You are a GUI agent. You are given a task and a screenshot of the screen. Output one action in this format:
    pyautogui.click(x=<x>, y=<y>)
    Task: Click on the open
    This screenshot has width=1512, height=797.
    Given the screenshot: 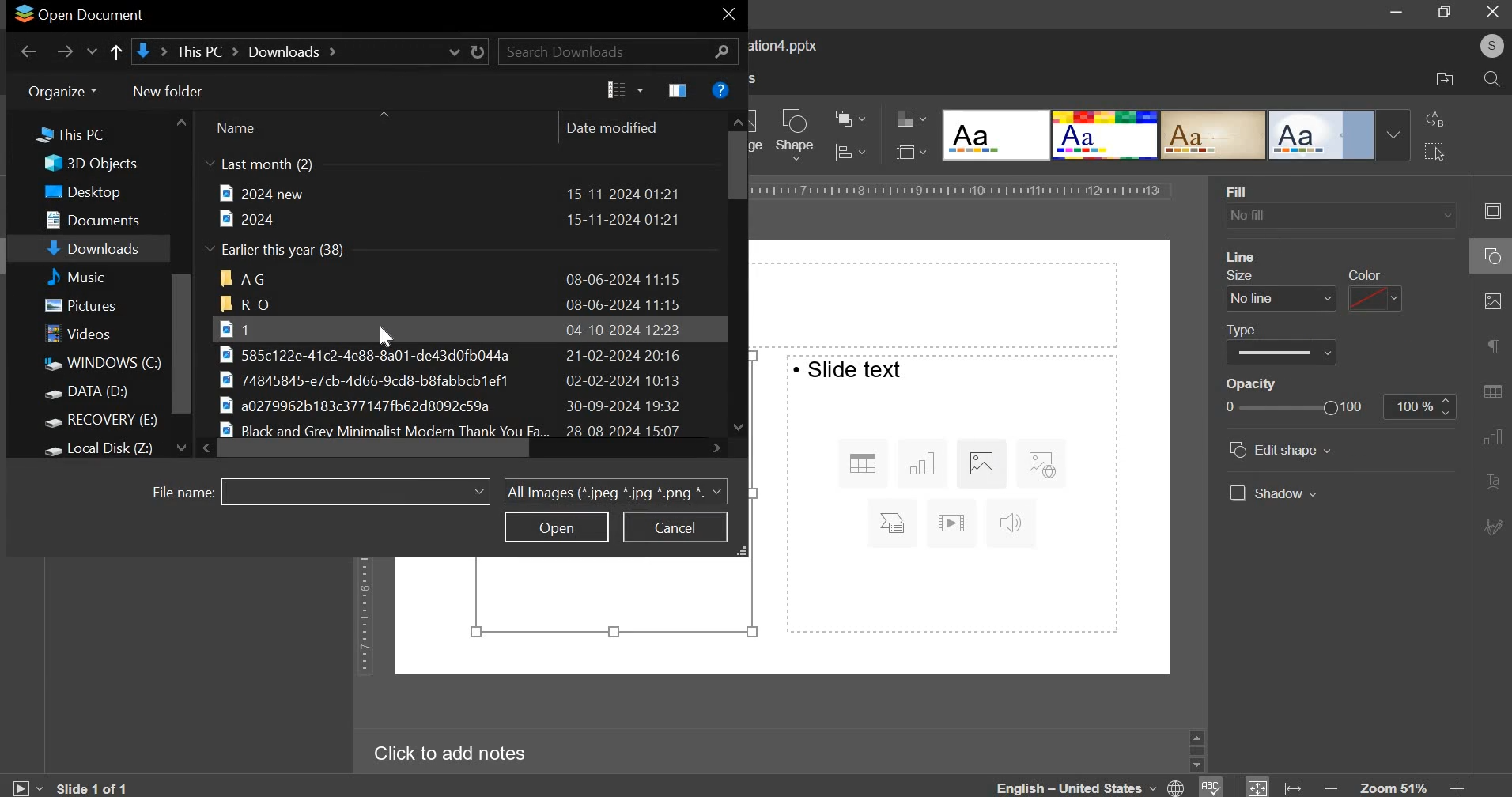 What is the action you would take?
    pyautogui.click(x=557, y=527)
    